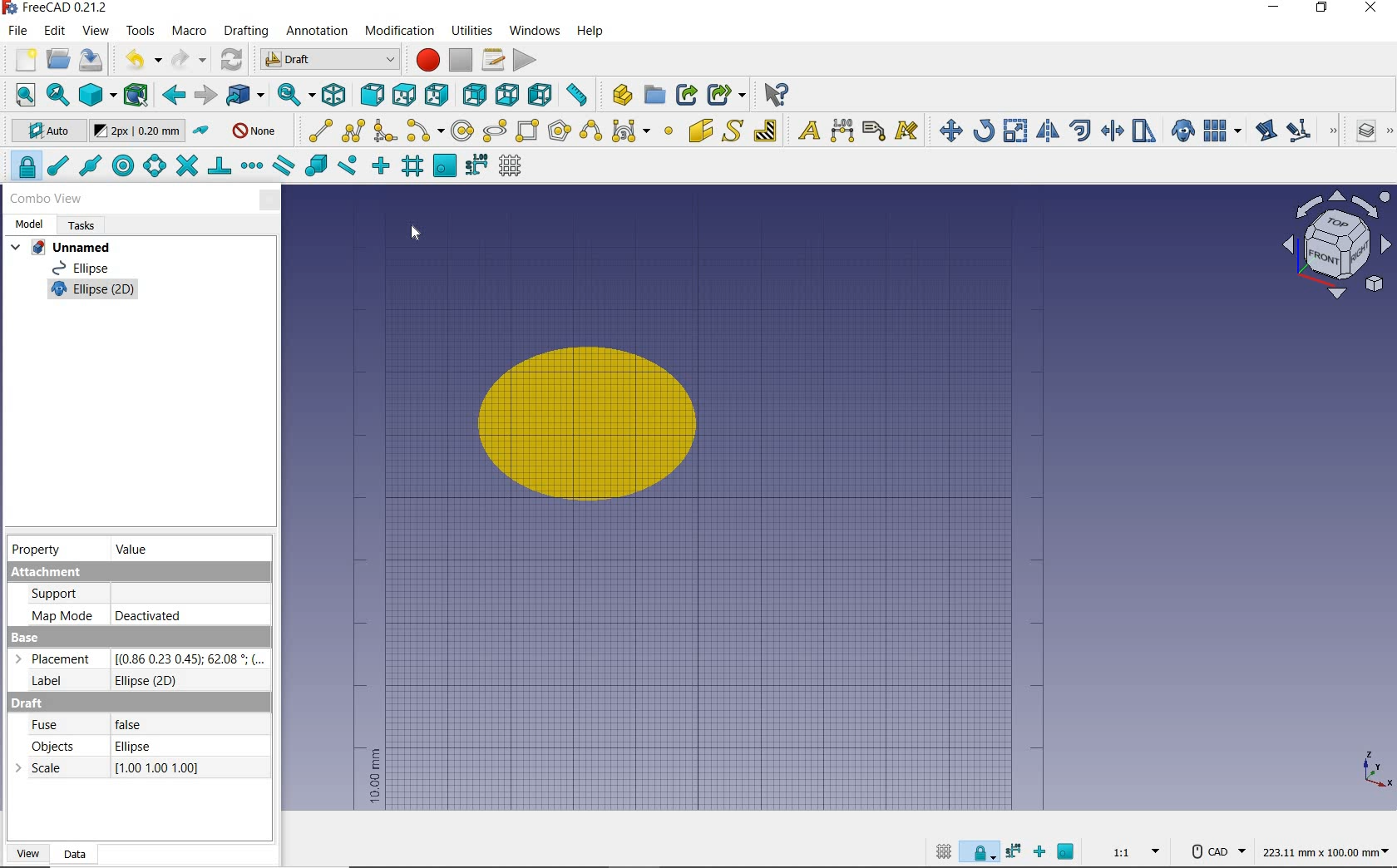 This screenshot has height=868, width=1397. What do you see at coordinates (1275, 9) in the screenshot?
I see `minimize` at bounding box center [1275, 9].